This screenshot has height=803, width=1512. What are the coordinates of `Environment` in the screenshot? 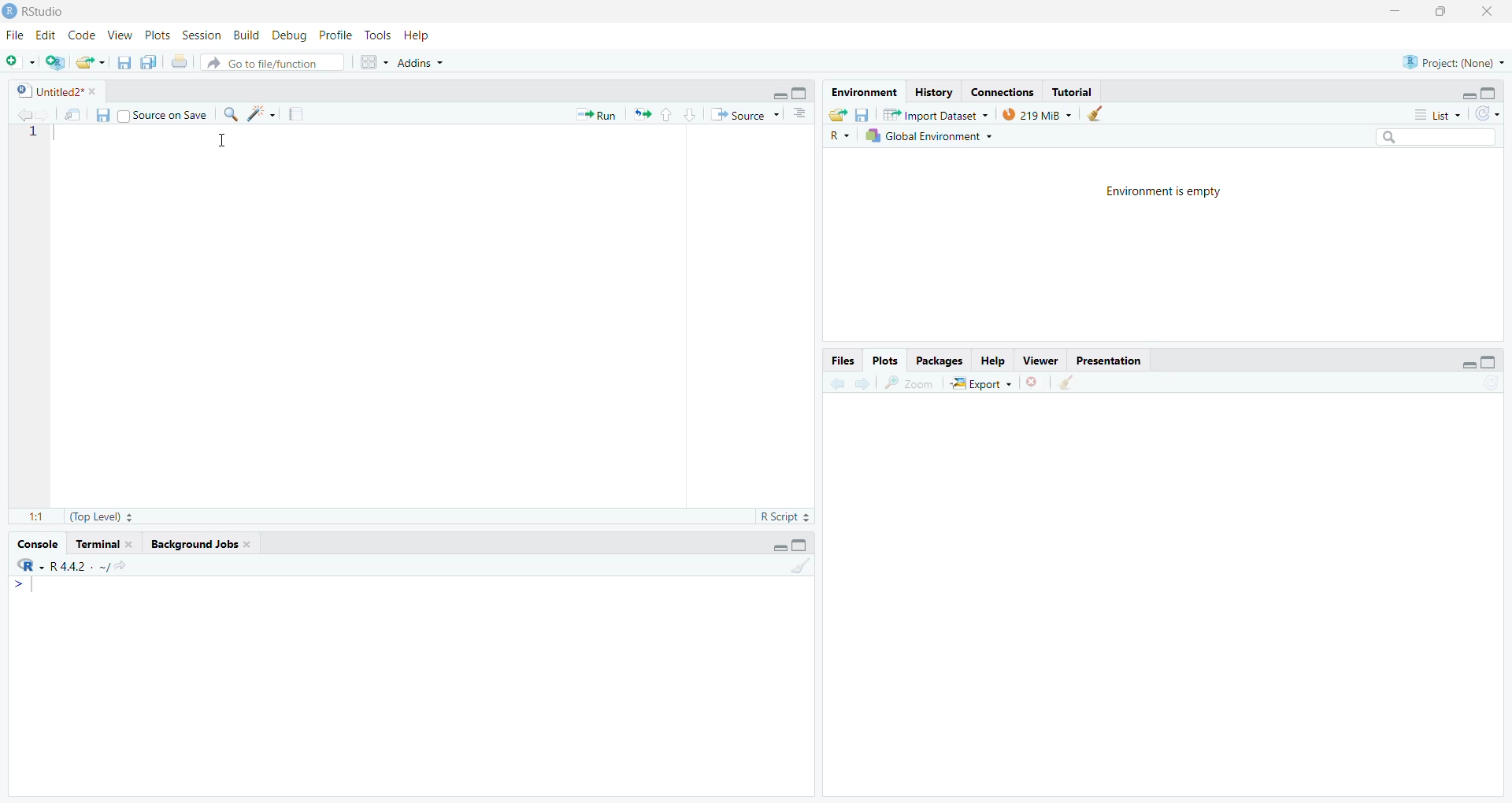 It's located at (865, 92).